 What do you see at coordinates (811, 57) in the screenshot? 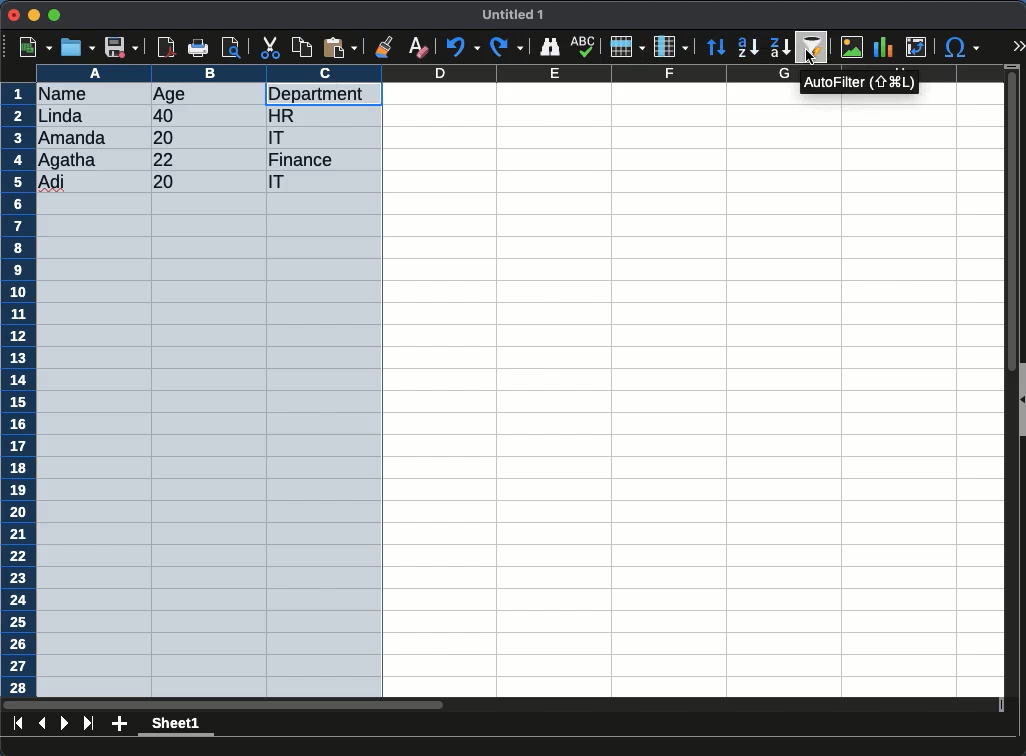
I see `cursor` at bounding box center [811, 57].